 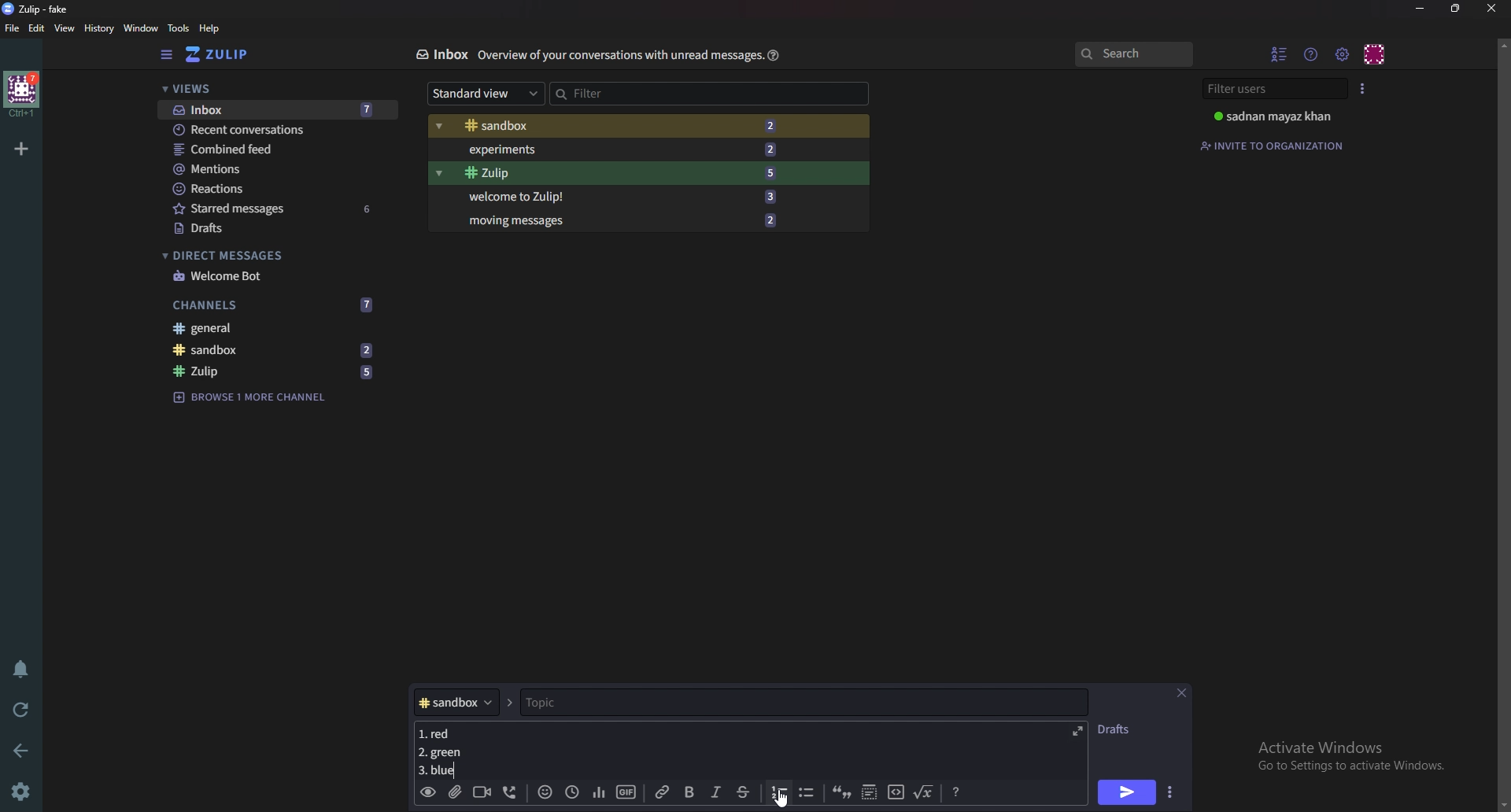 I want to click on Filter users, so click(x=1273, y=89).